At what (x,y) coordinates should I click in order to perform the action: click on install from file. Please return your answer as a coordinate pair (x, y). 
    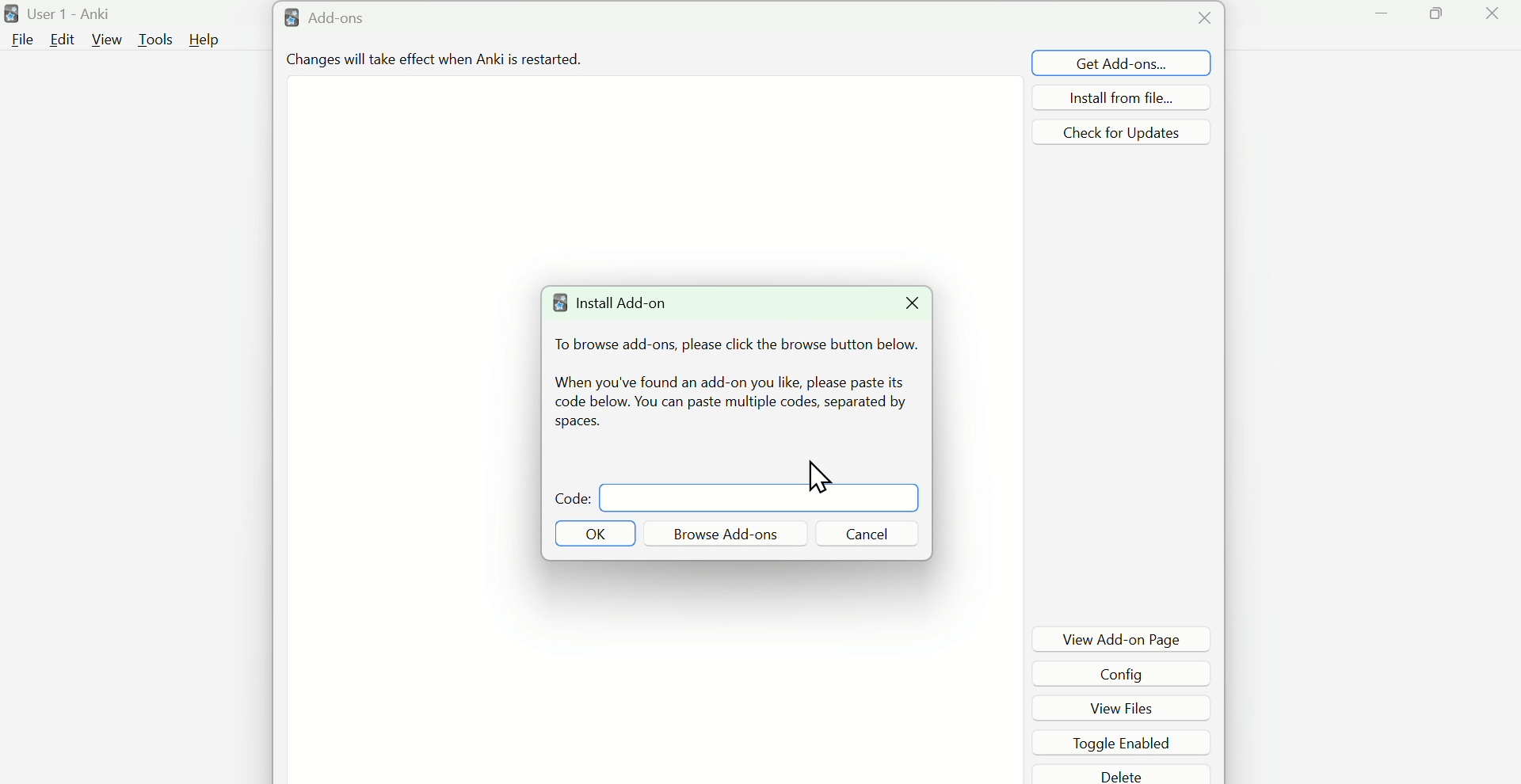
    Looking at the image, I should click on (1120, 97).